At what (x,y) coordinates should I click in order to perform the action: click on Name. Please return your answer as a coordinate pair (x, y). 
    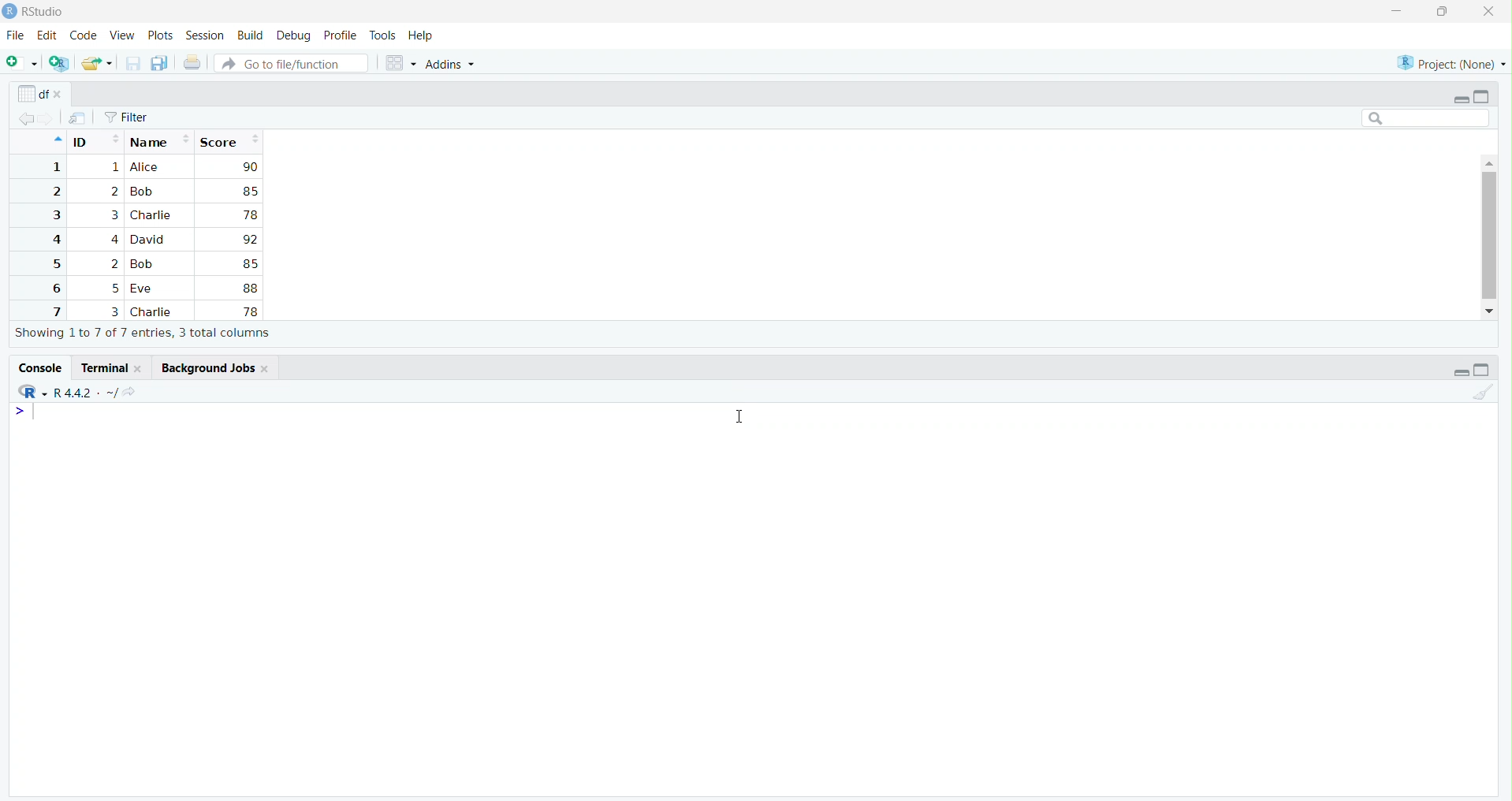
    Looking at the image, I should click on (160, 140).